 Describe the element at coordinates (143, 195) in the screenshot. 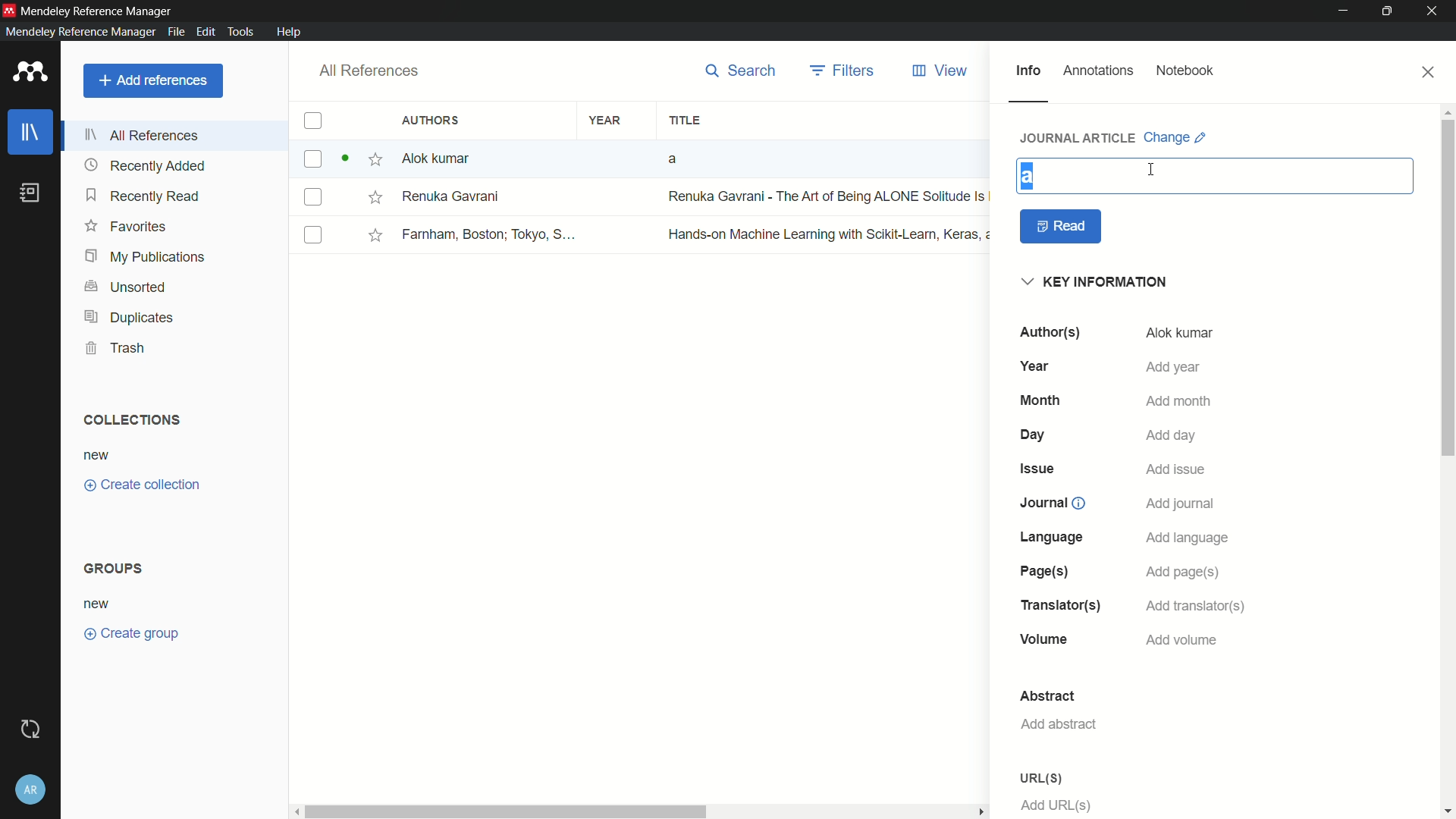

I see `recently read` at that location.